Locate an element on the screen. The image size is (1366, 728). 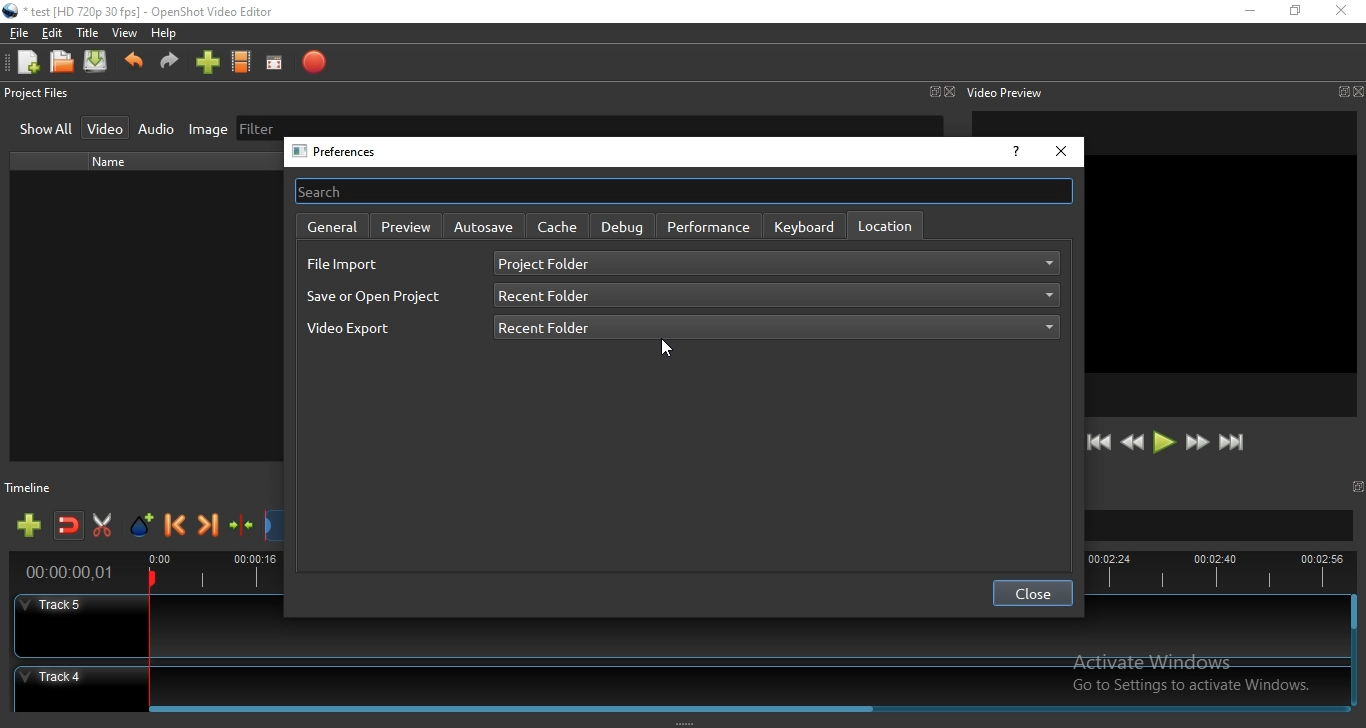
Full screen  is located at coordinates (278, 63).